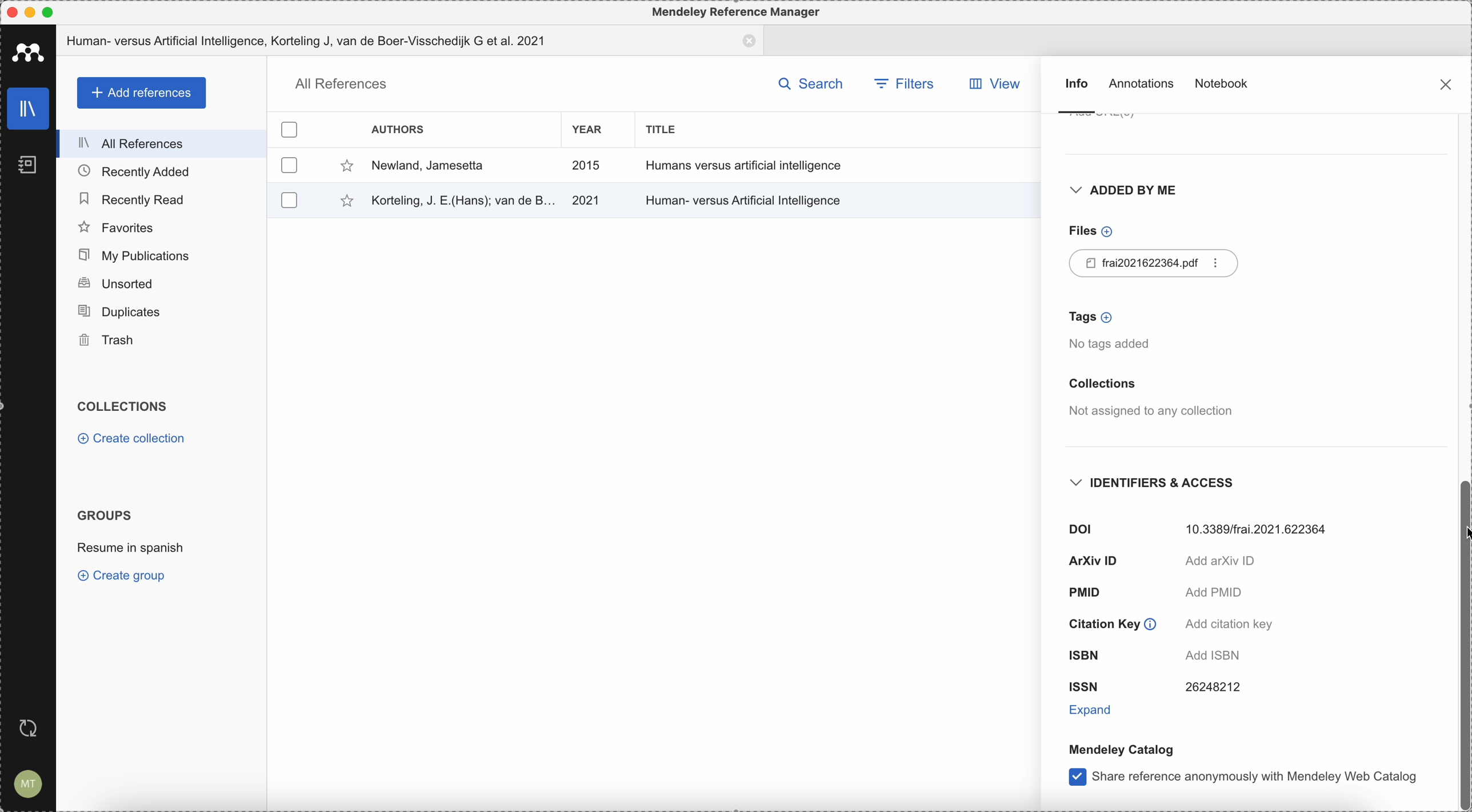 This screenshot has width=1472, height=812. What do you see at coordinates (29, 783) in the screenshot?
I see `account setting` at bounding box center [29, 783].